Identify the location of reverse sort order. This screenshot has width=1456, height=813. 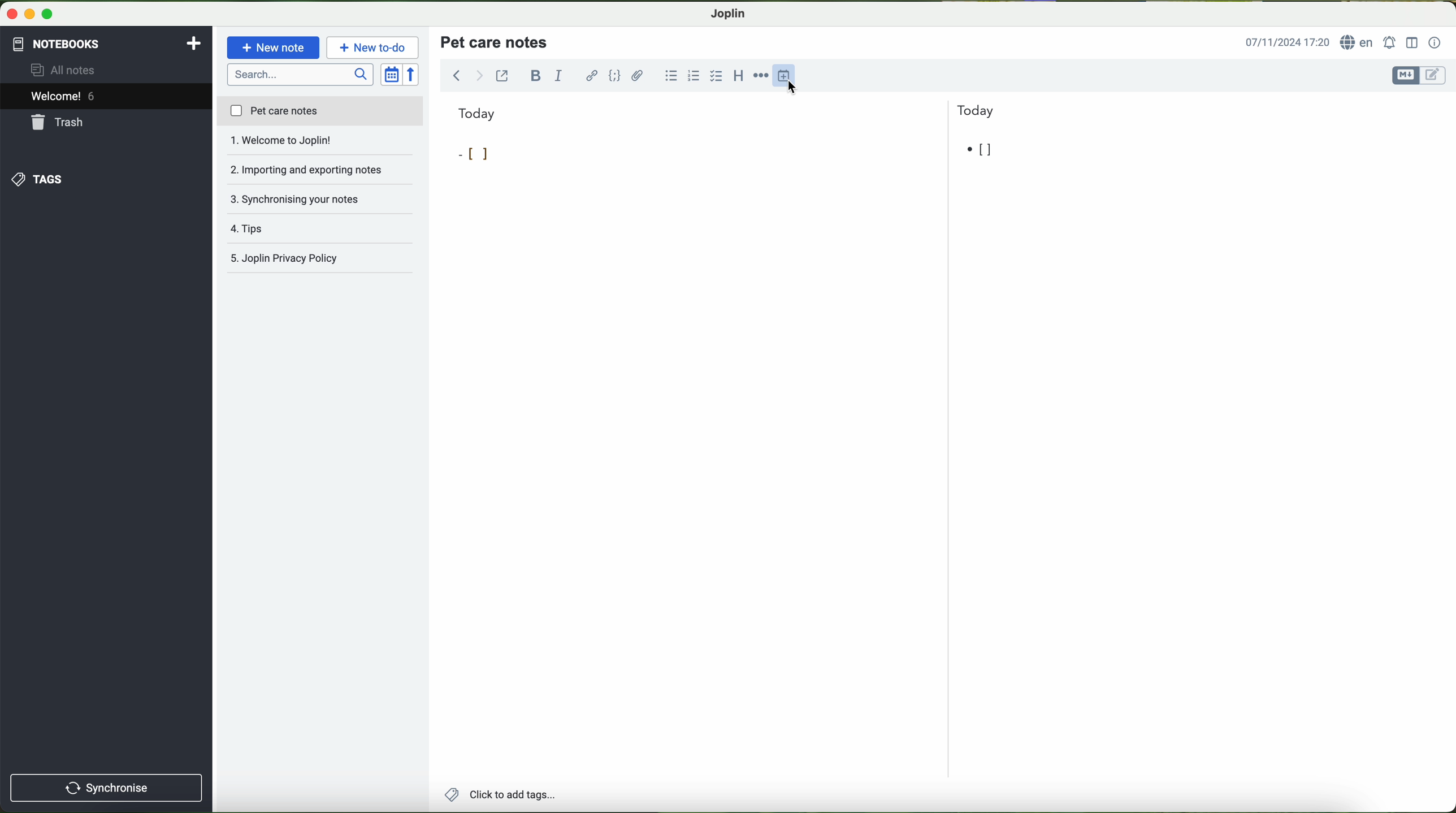
(414, 75).